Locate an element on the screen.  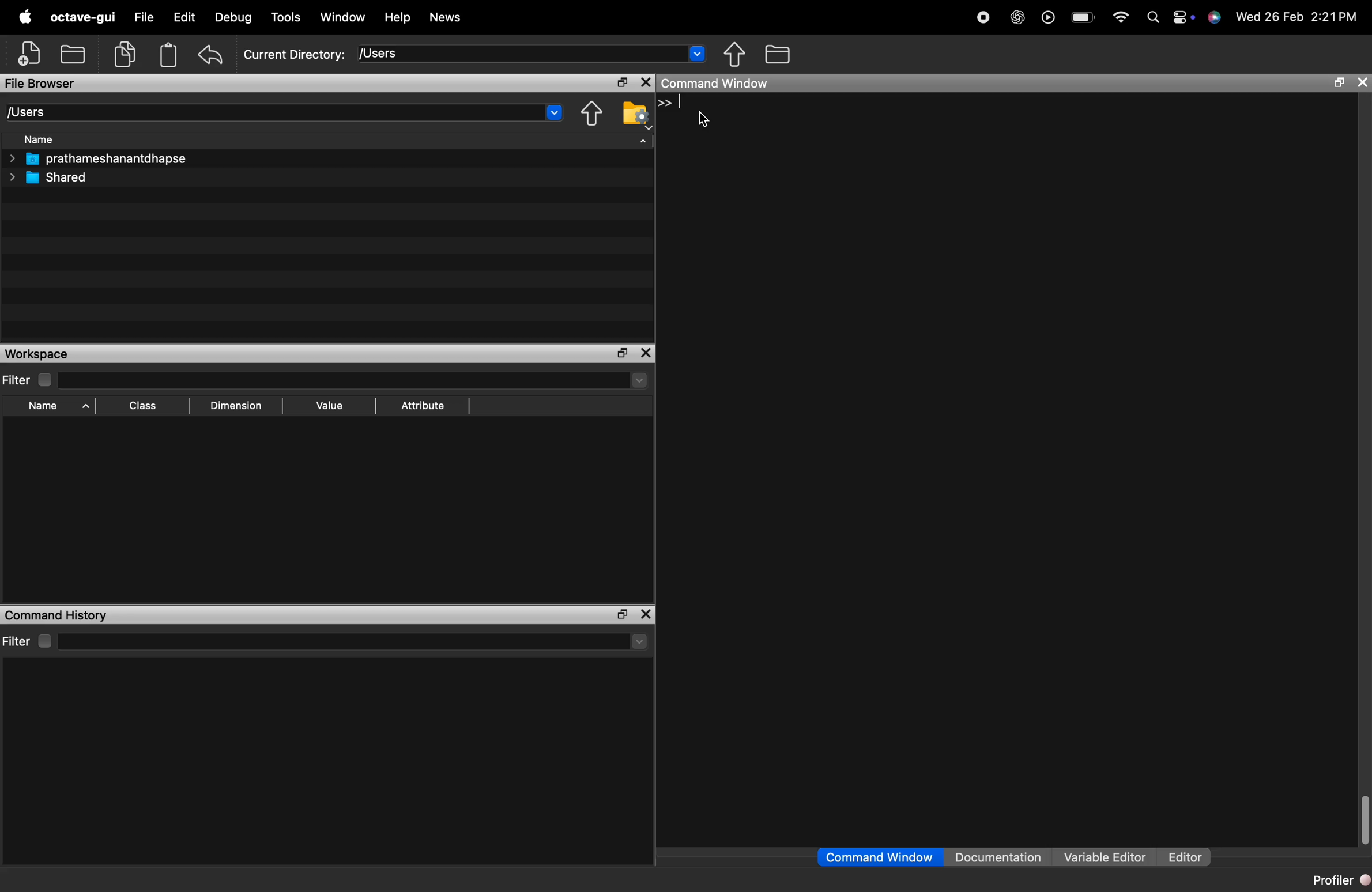
News is located at coordinates (445, 17).